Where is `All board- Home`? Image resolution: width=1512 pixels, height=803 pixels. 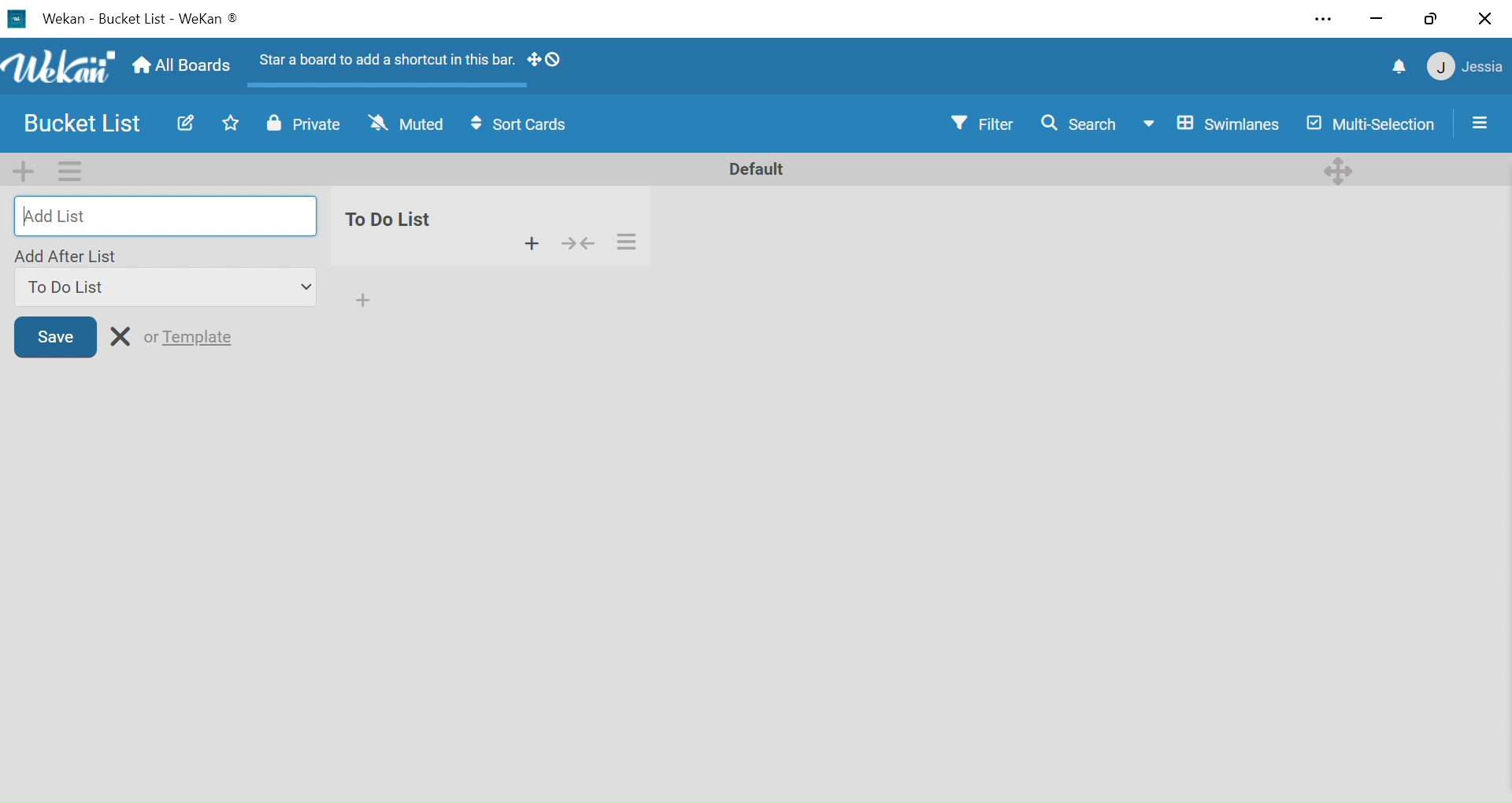 All board- Home is located at coordinates (180, 67).